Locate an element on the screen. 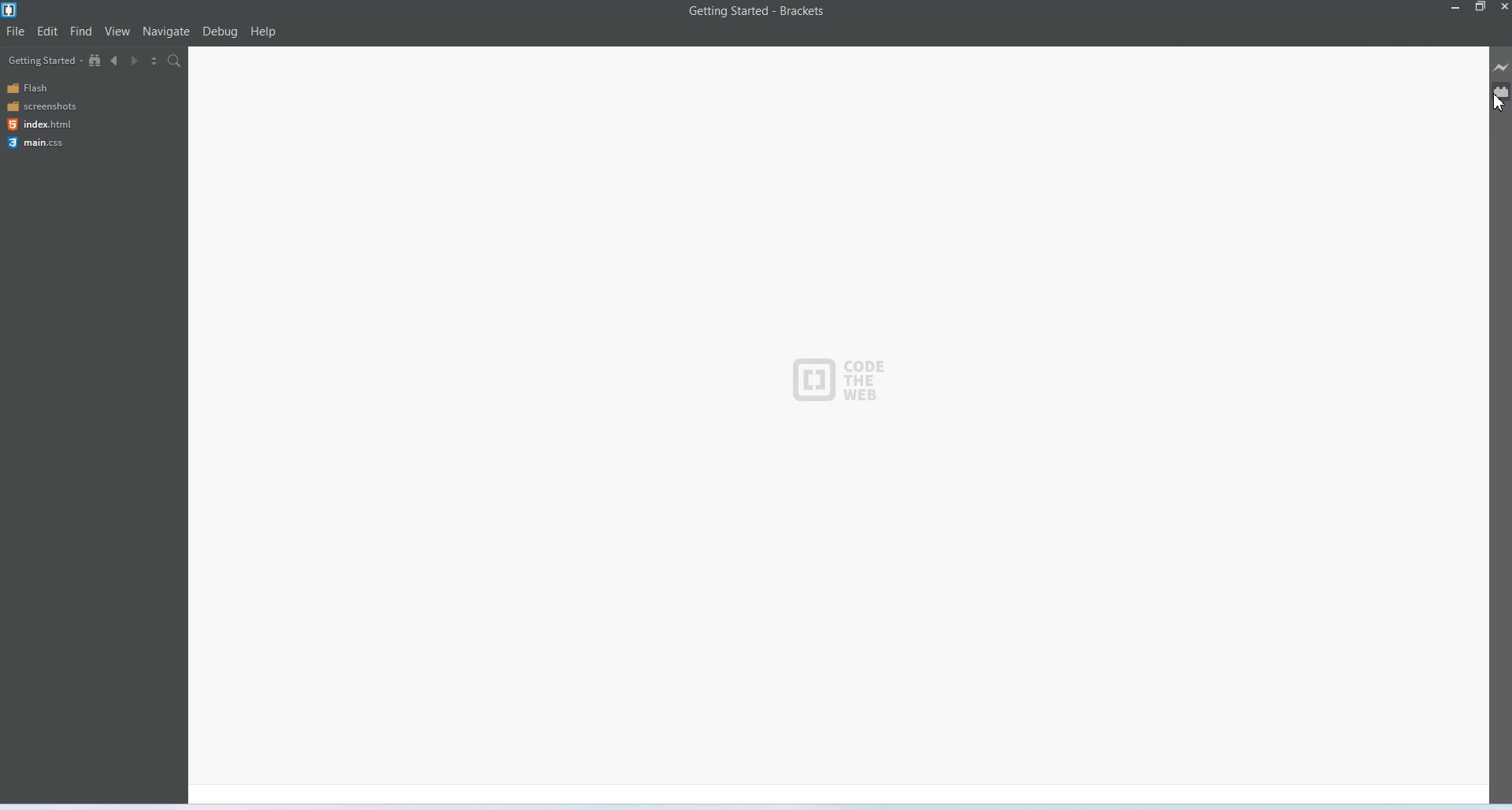 The width and height of the screenshot is (1512, 810). Brackets is located at coordinates (802, 10).